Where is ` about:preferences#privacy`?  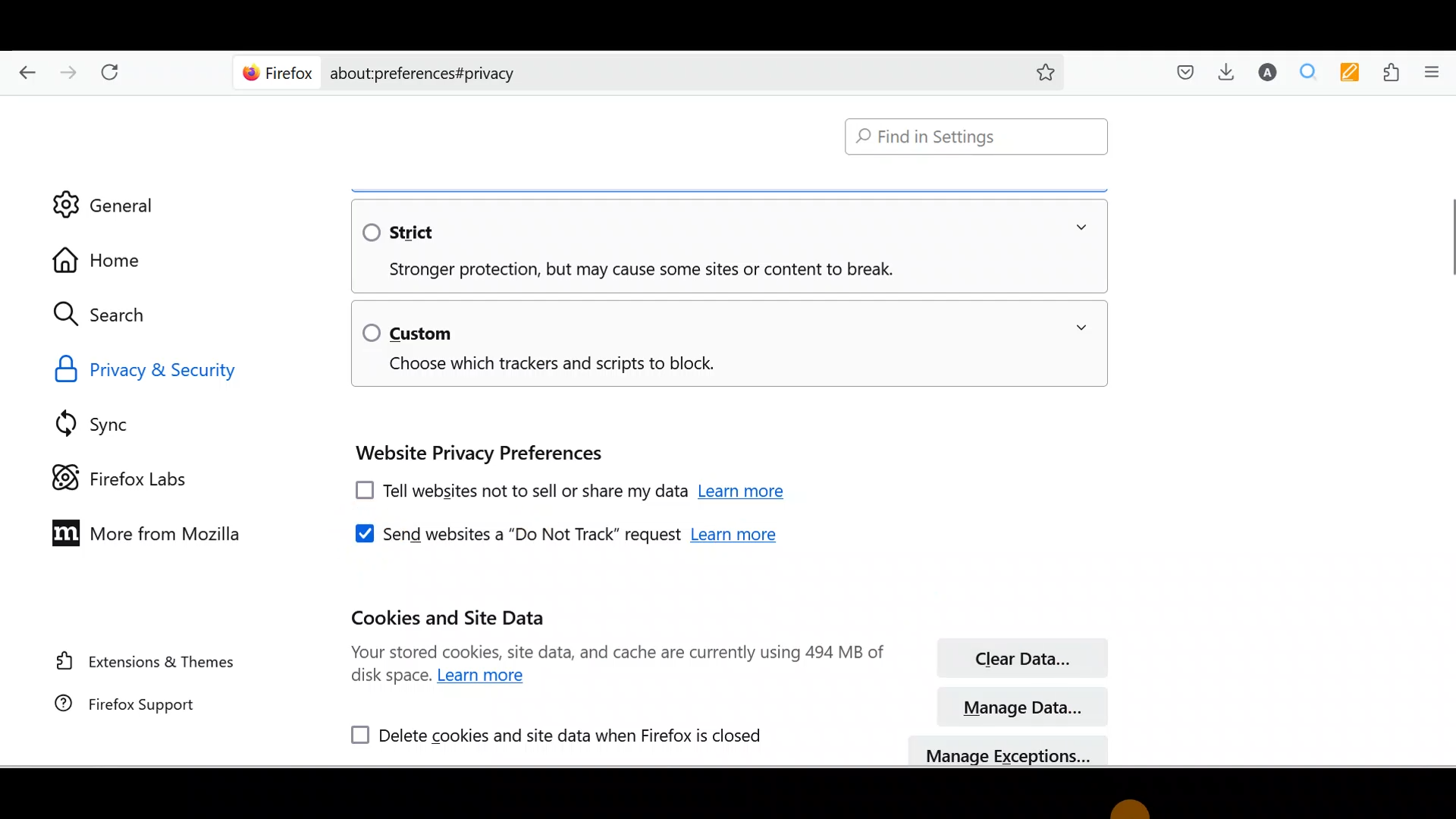
 about:preferences#privacy is located at coordinates (669, 74).